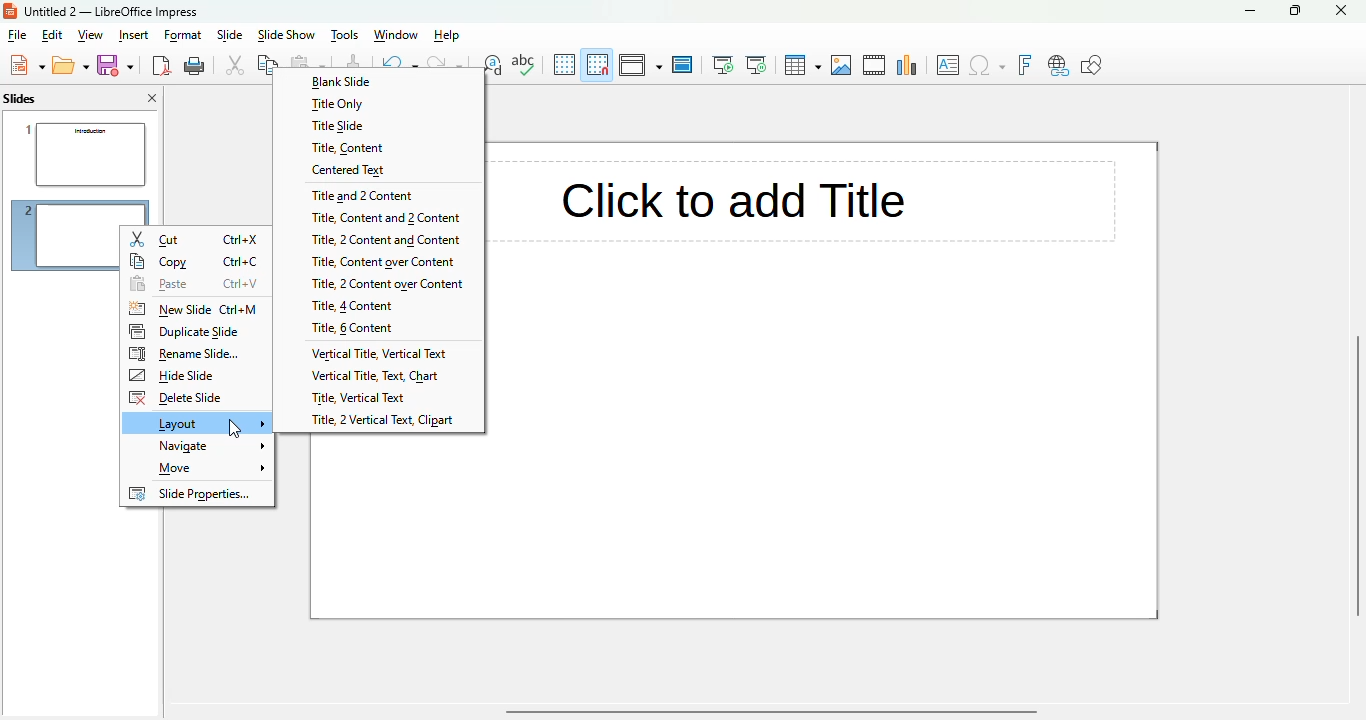 This screenshot has width=1366, height=720. Describe the element at coordinates (1296, 10) in the screenshot. I see `maximize` at that location.